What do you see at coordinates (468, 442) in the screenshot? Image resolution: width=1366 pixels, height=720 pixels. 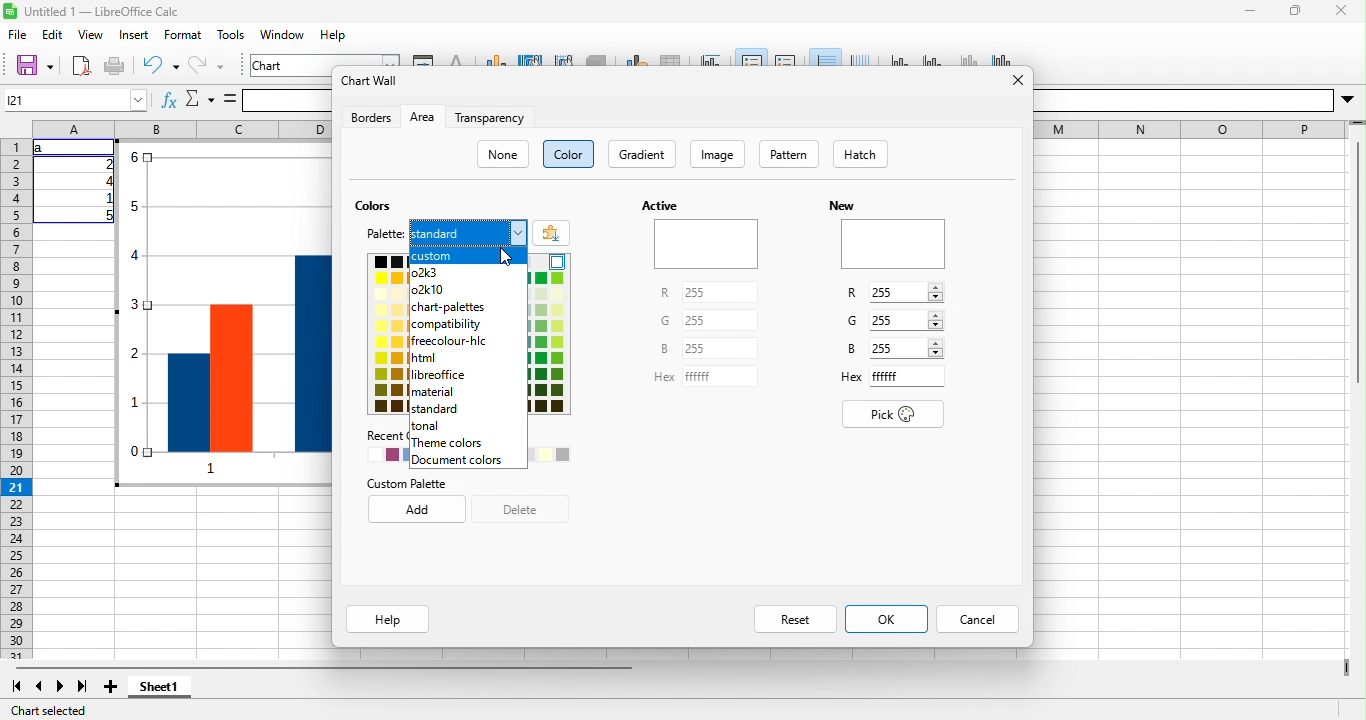 I see `theme colors` at bounding box center [468, 442].